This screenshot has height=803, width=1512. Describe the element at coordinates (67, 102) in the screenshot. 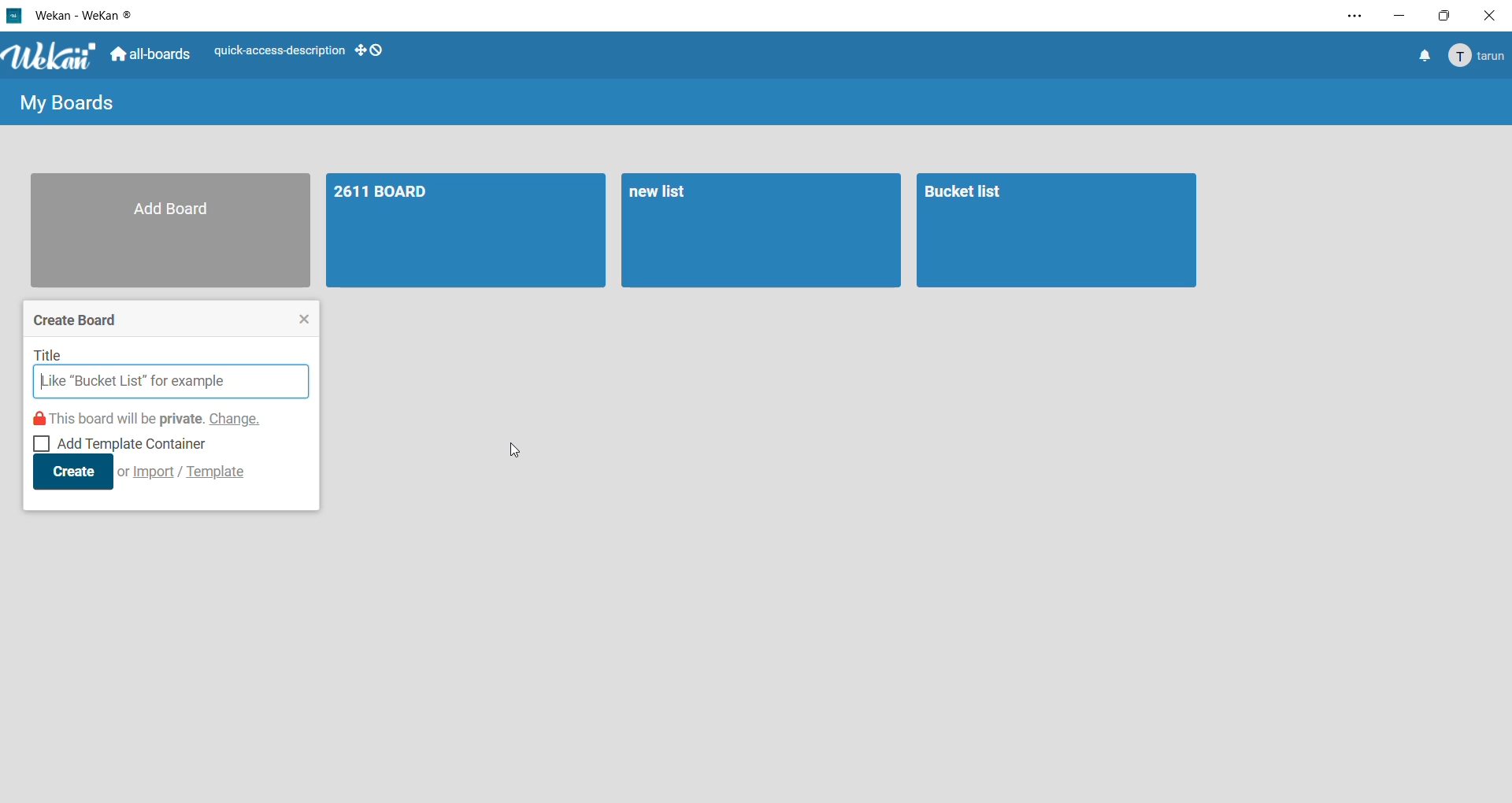

I see `my boards` at that location.